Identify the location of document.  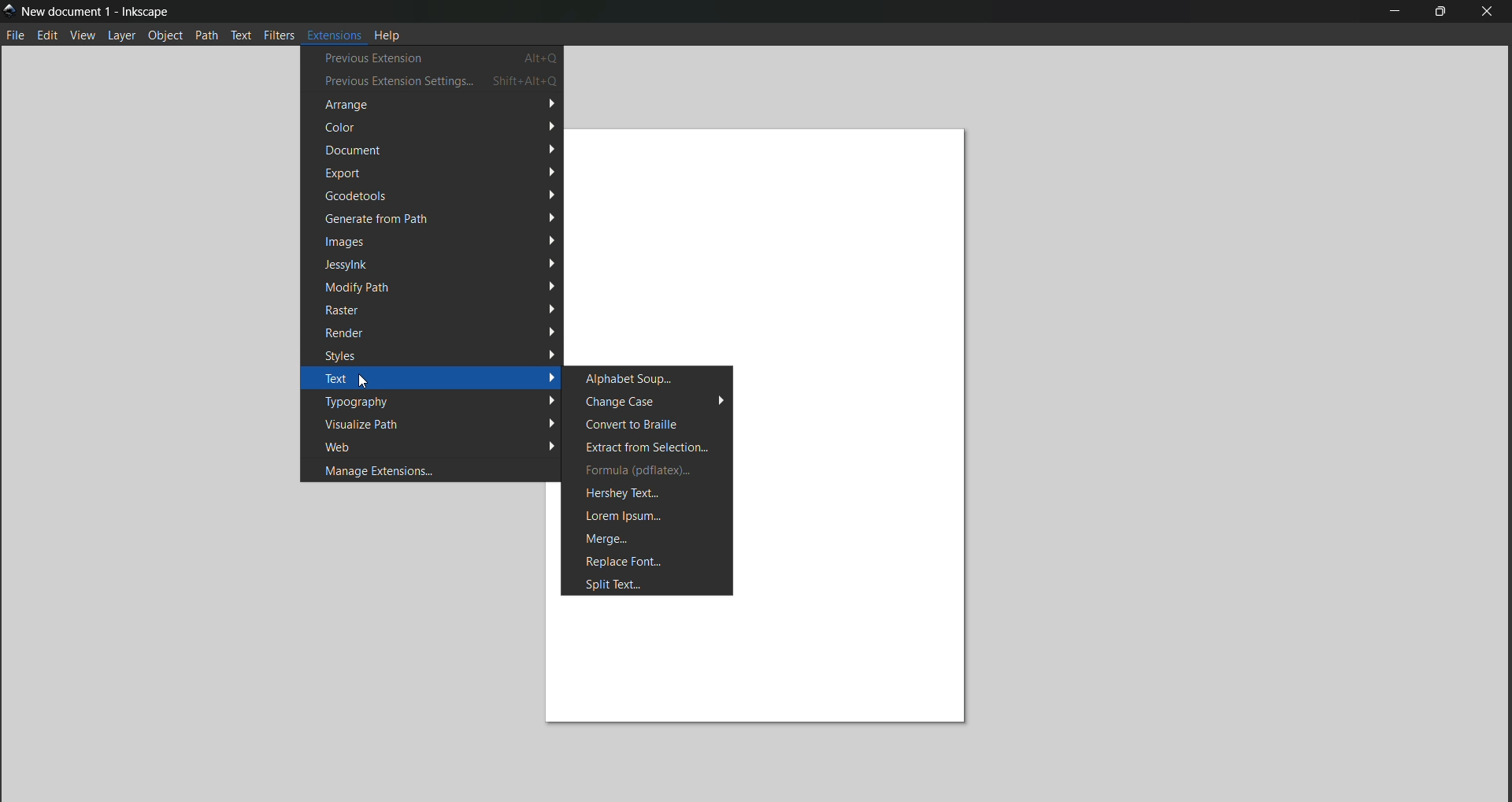
(437, 150).